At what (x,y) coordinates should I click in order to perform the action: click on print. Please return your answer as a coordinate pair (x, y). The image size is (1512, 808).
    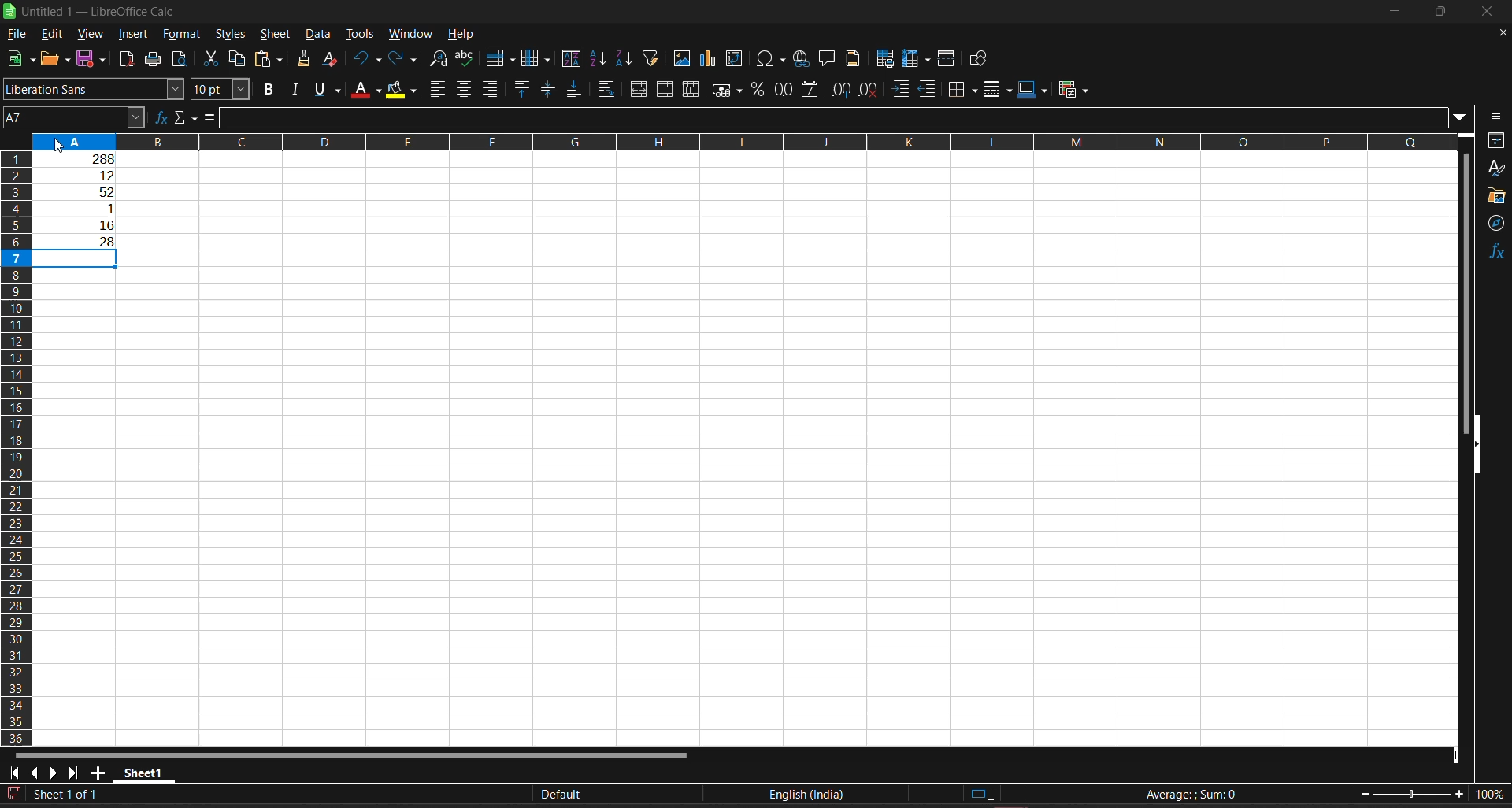
    Looking at the image, I should click on (153, 60).